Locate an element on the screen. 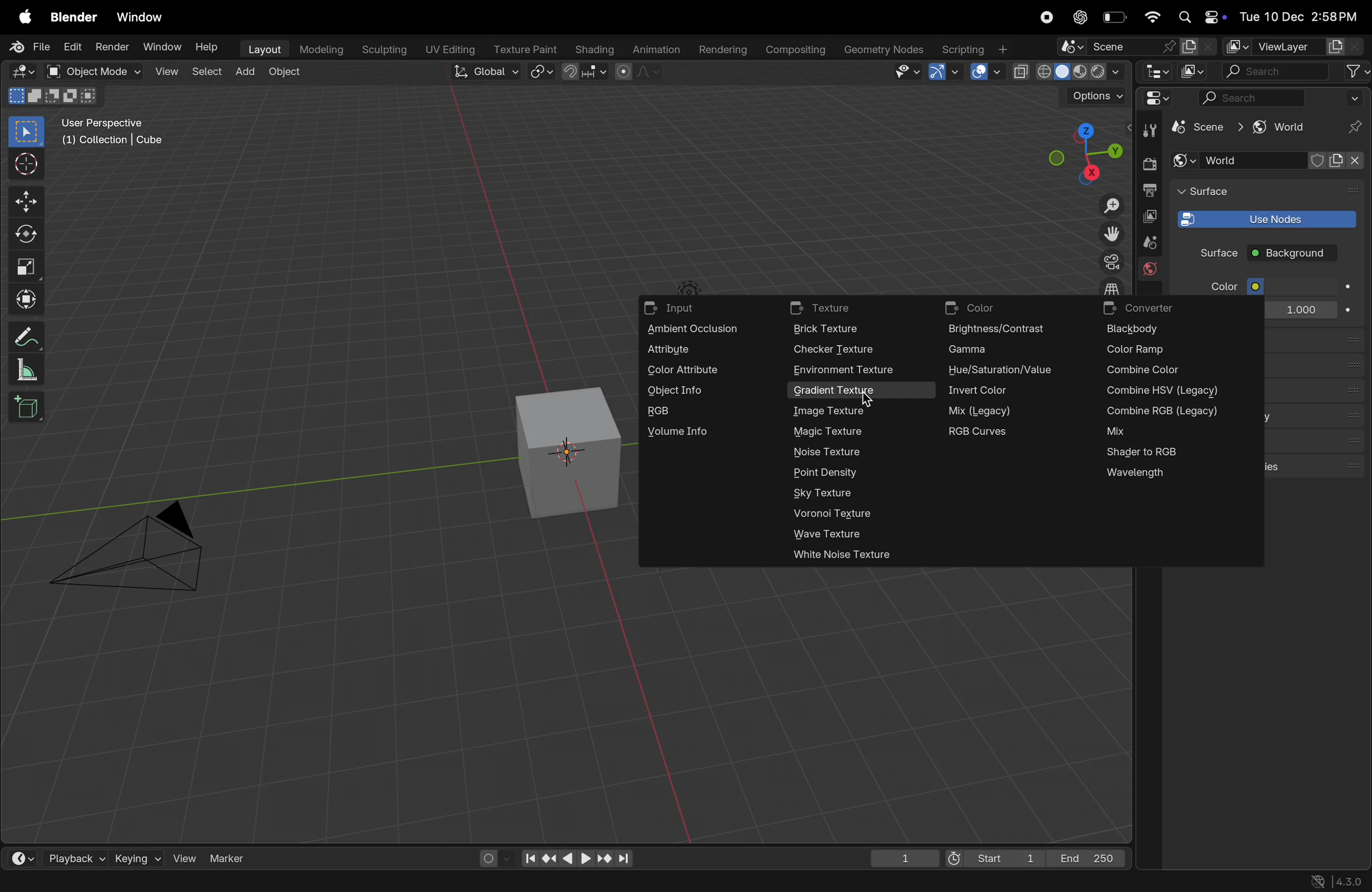  Render is located at coordinates (111, 48).